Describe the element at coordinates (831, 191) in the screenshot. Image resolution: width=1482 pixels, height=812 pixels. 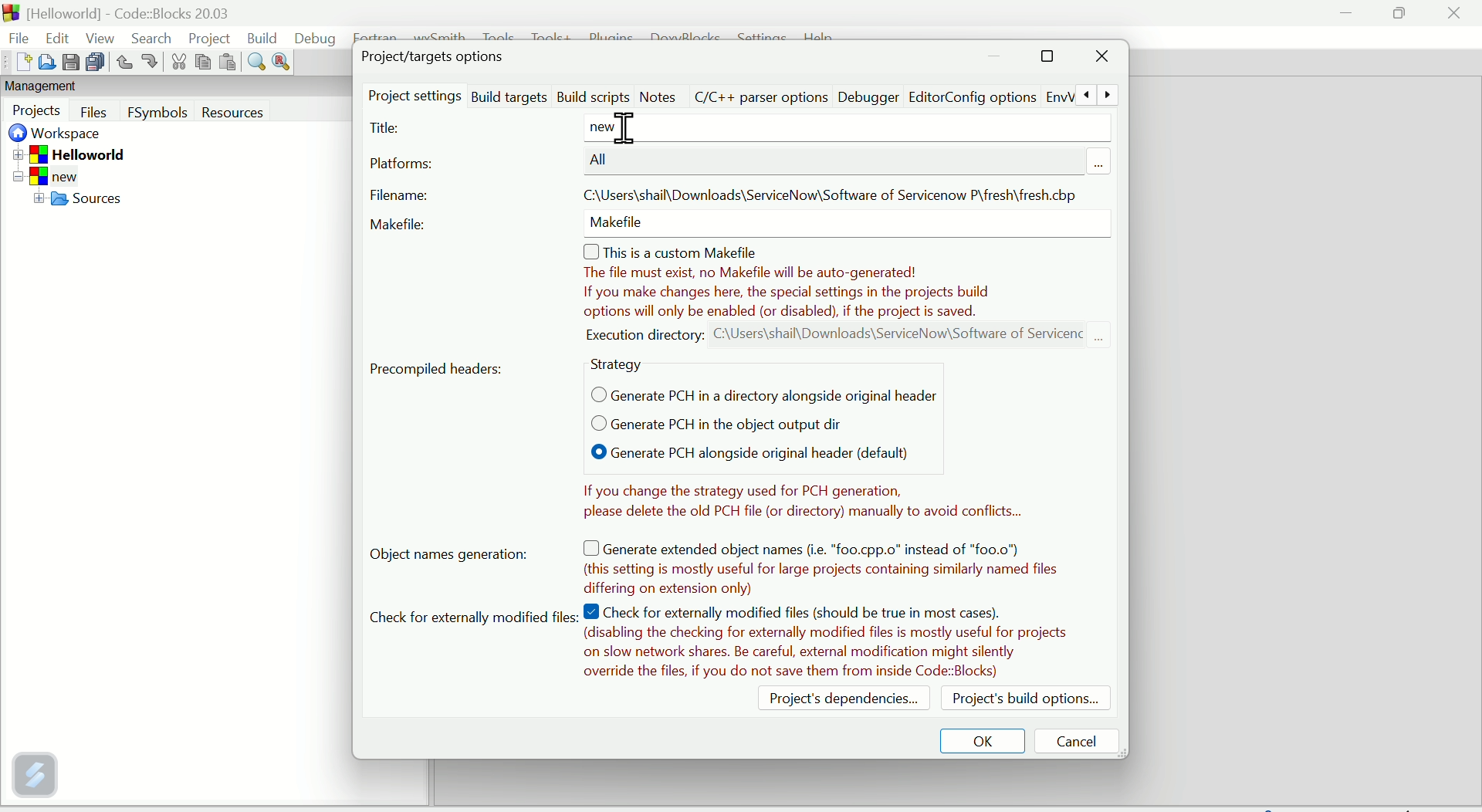
I see `File address` at that location.